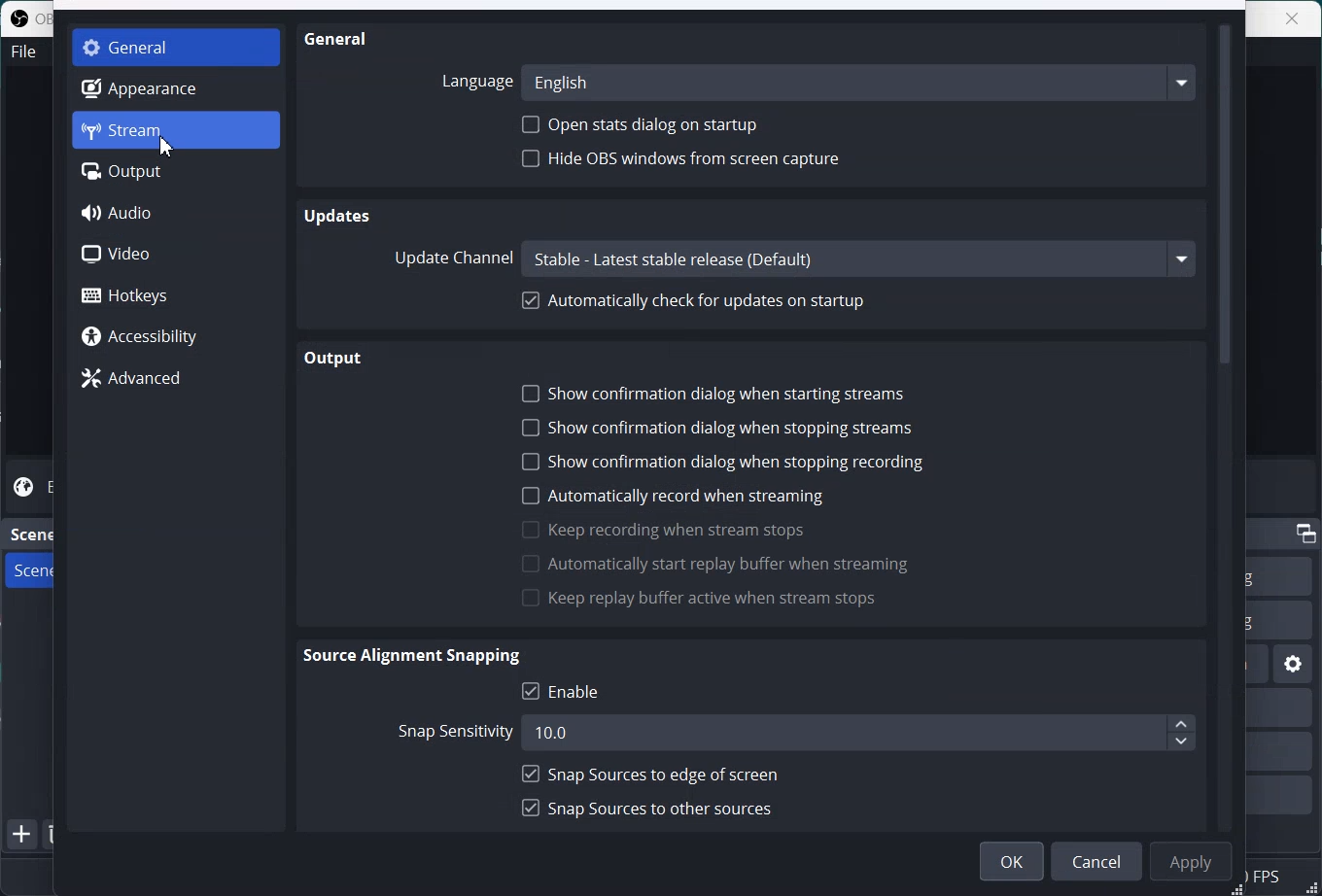  I want to click on Keep recording when stream stops, so click(665, 530).